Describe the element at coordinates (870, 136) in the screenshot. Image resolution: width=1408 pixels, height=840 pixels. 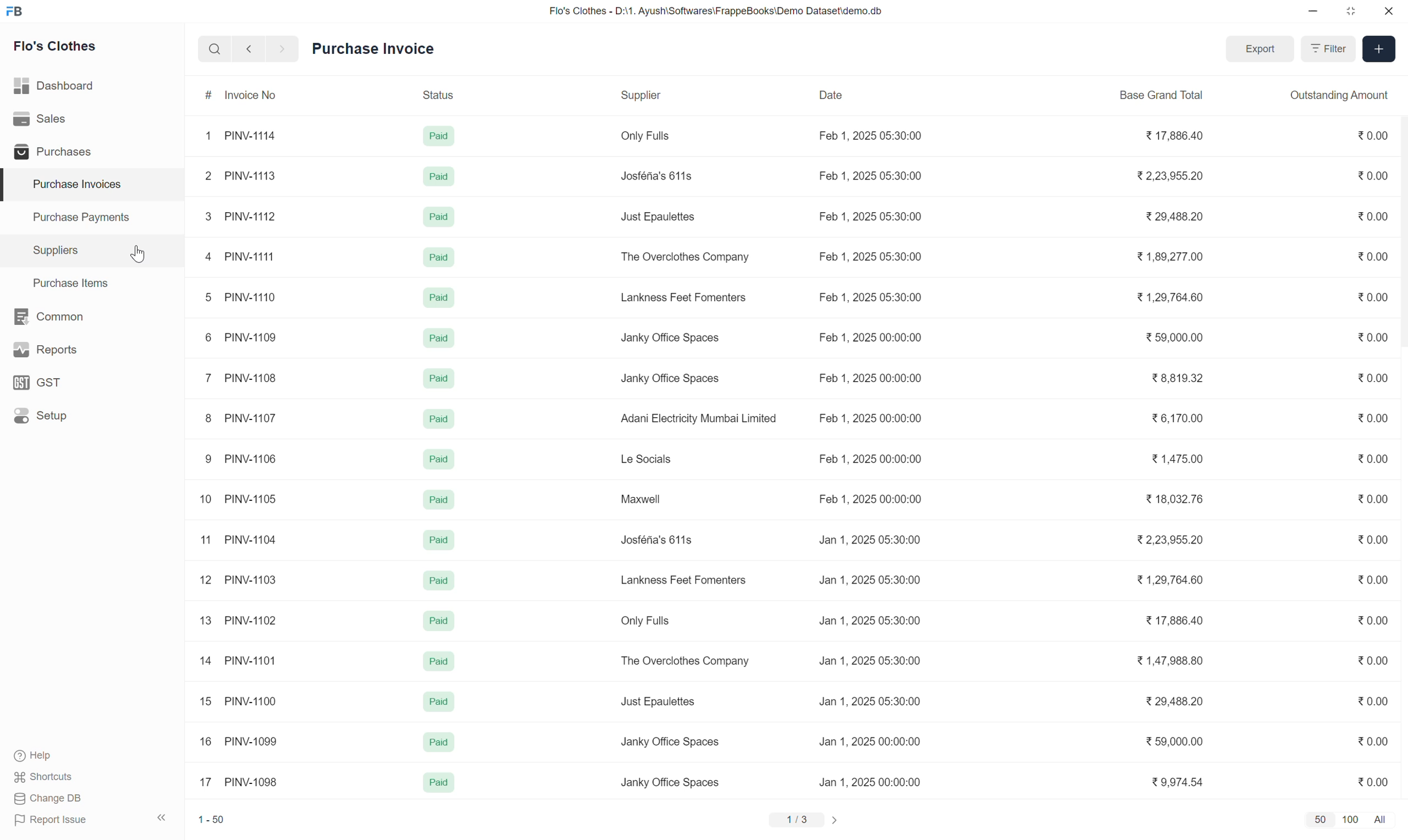
I see `Feb 1, 2025 05:30:00` at that location.